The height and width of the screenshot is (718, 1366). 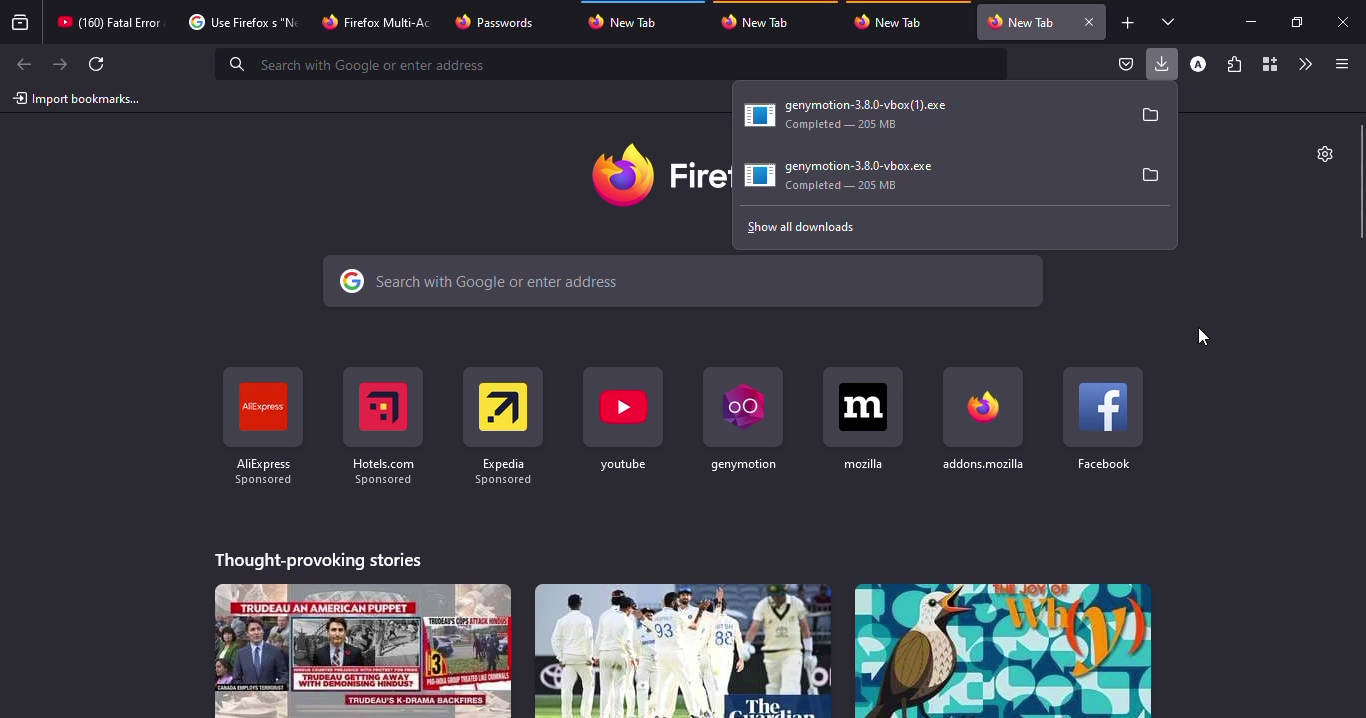 What do you see at coordinates (1304, 64) in the screenshot?
I see `more tools` at bounding box center [1304, 64].